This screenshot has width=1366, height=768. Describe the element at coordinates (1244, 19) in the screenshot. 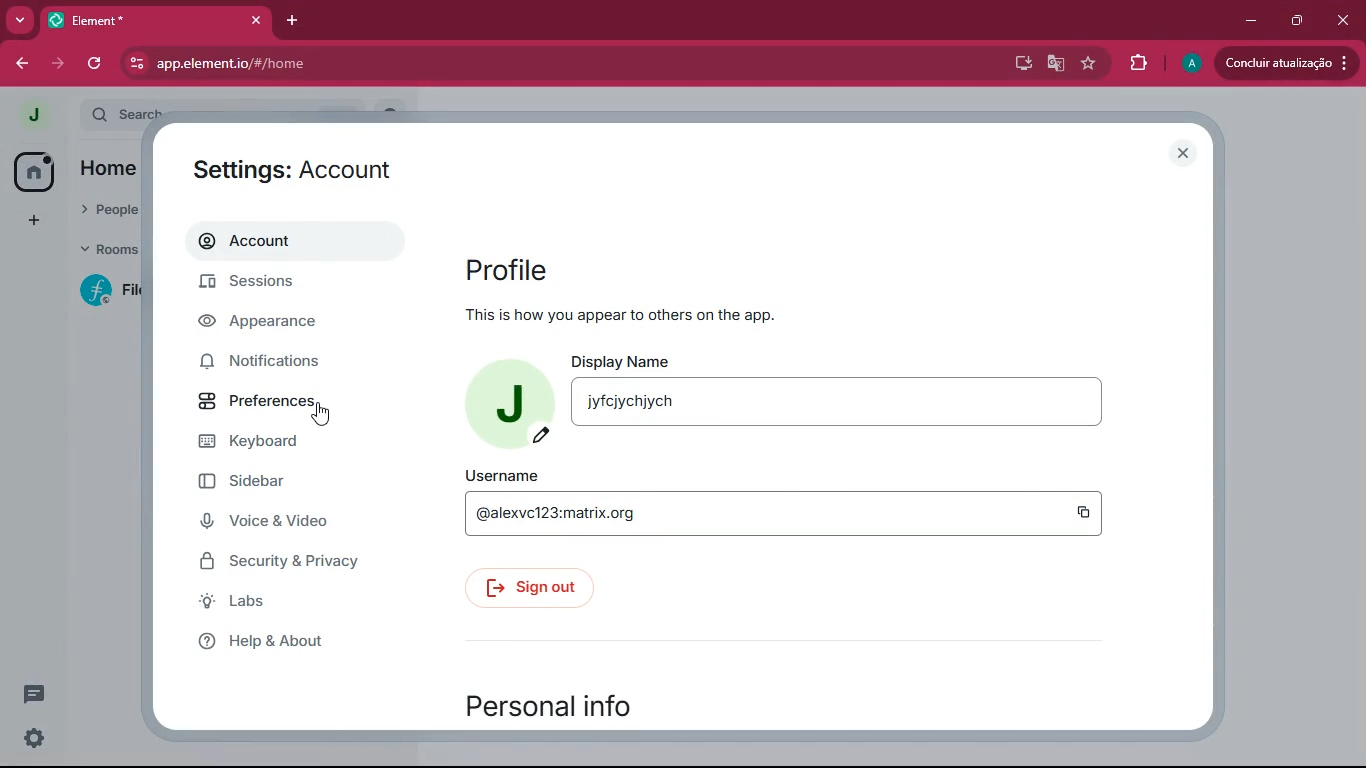

I see `minimize` at that location.